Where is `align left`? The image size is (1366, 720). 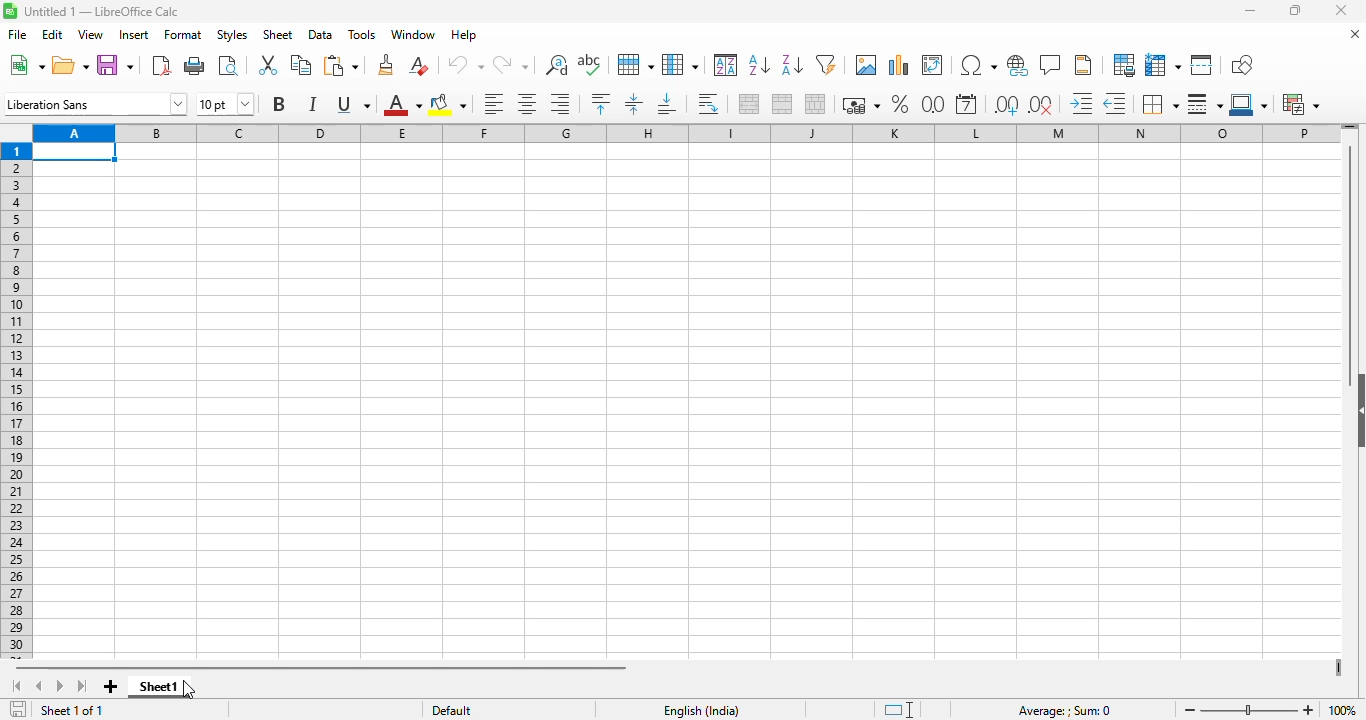
align left is located at coordinates (493, 104).